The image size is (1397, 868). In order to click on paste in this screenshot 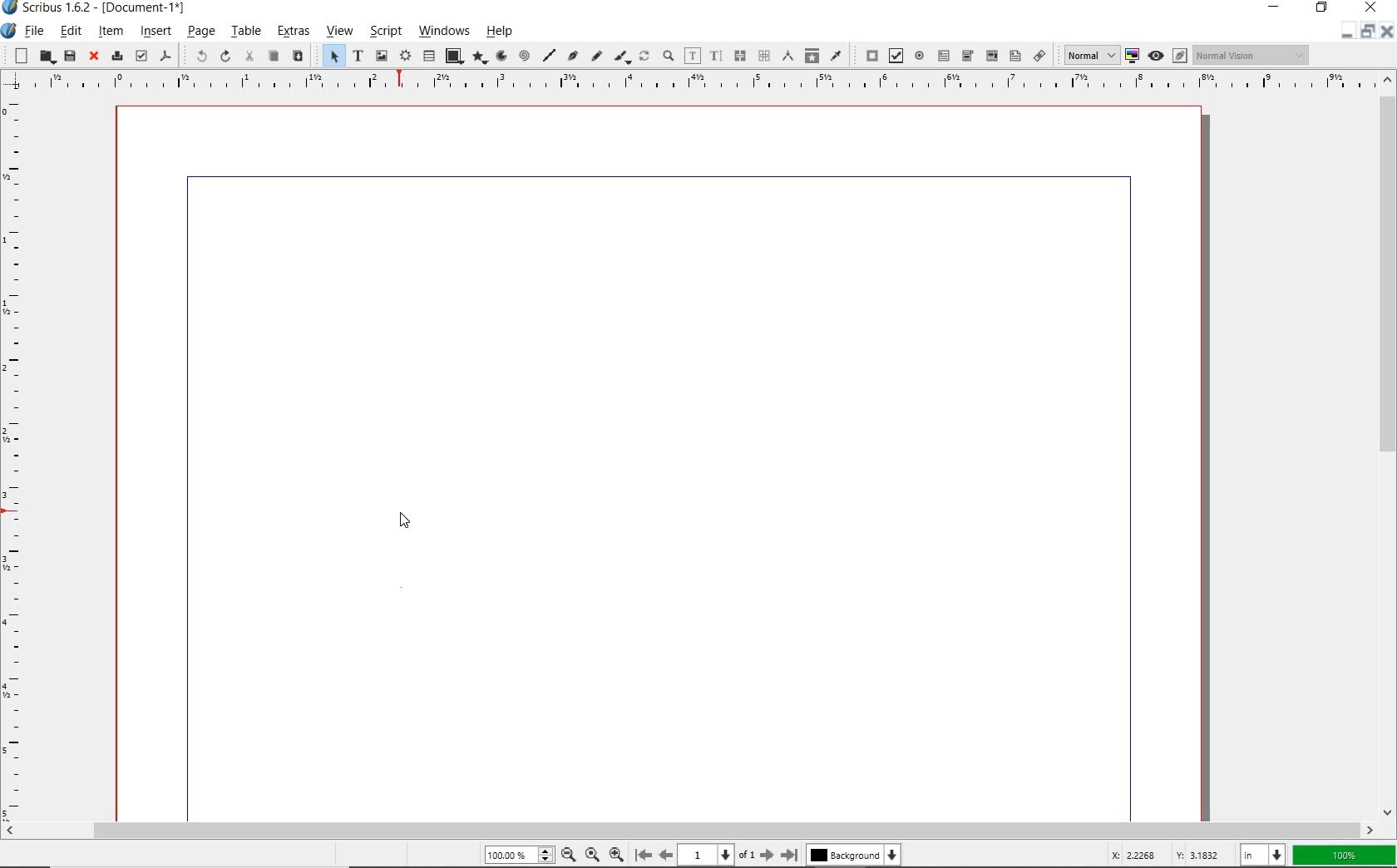, I will do `click(297, 57)`.